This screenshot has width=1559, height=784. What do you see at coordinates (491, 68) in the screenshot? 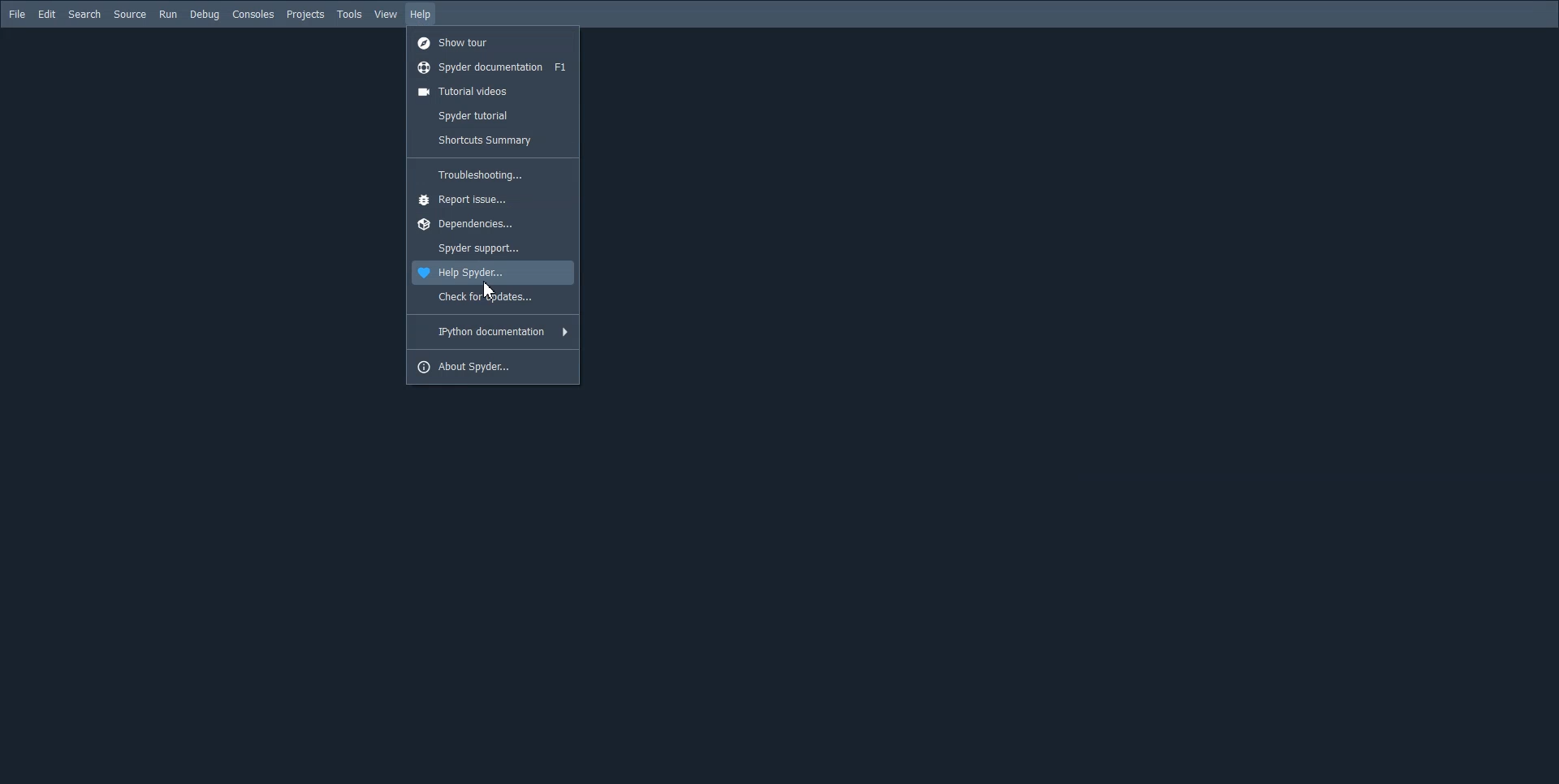
I see `Spyder documentation` at bounding box center [491, 68].